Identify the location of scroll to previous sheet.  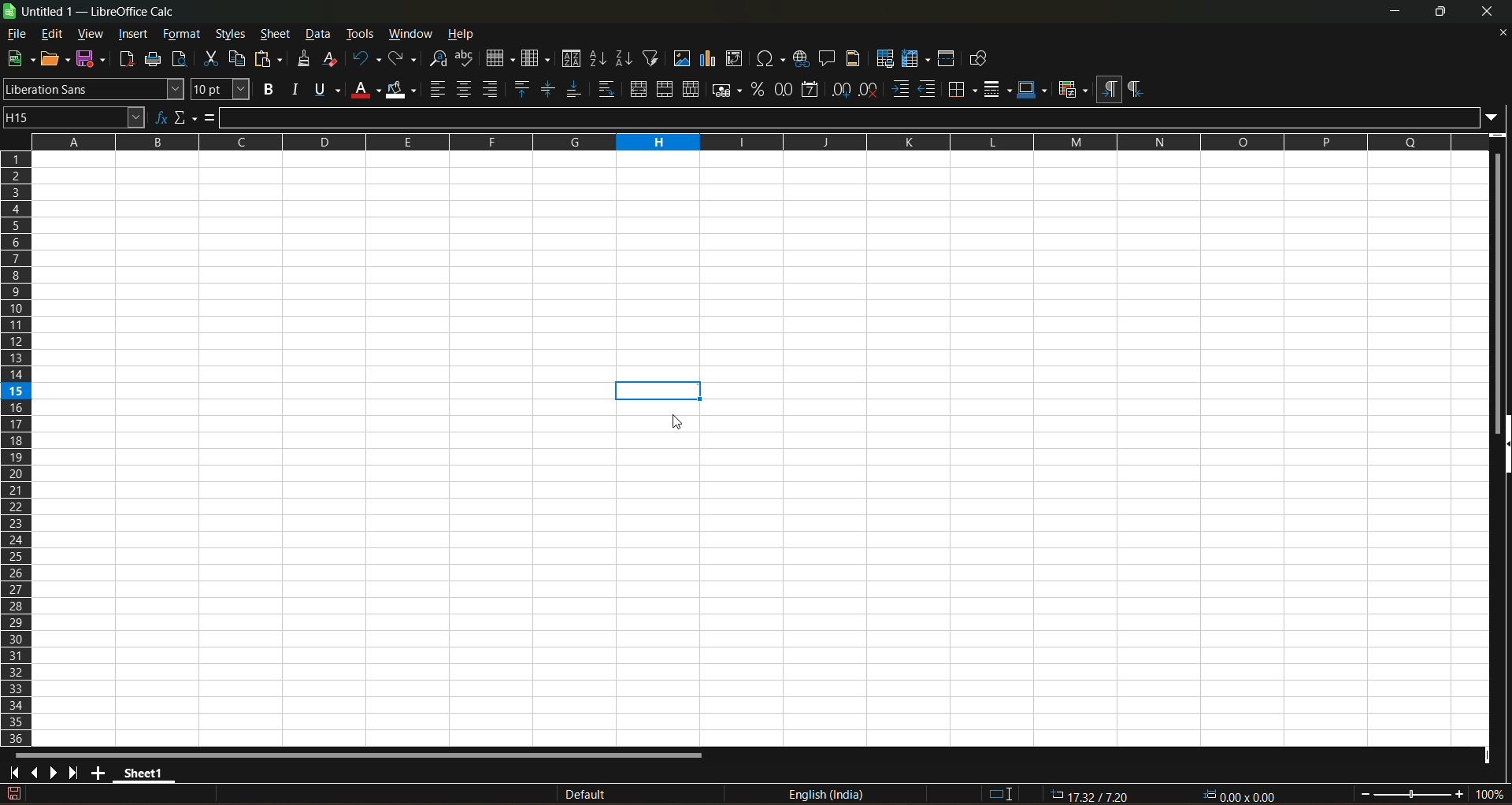
(38, 773).